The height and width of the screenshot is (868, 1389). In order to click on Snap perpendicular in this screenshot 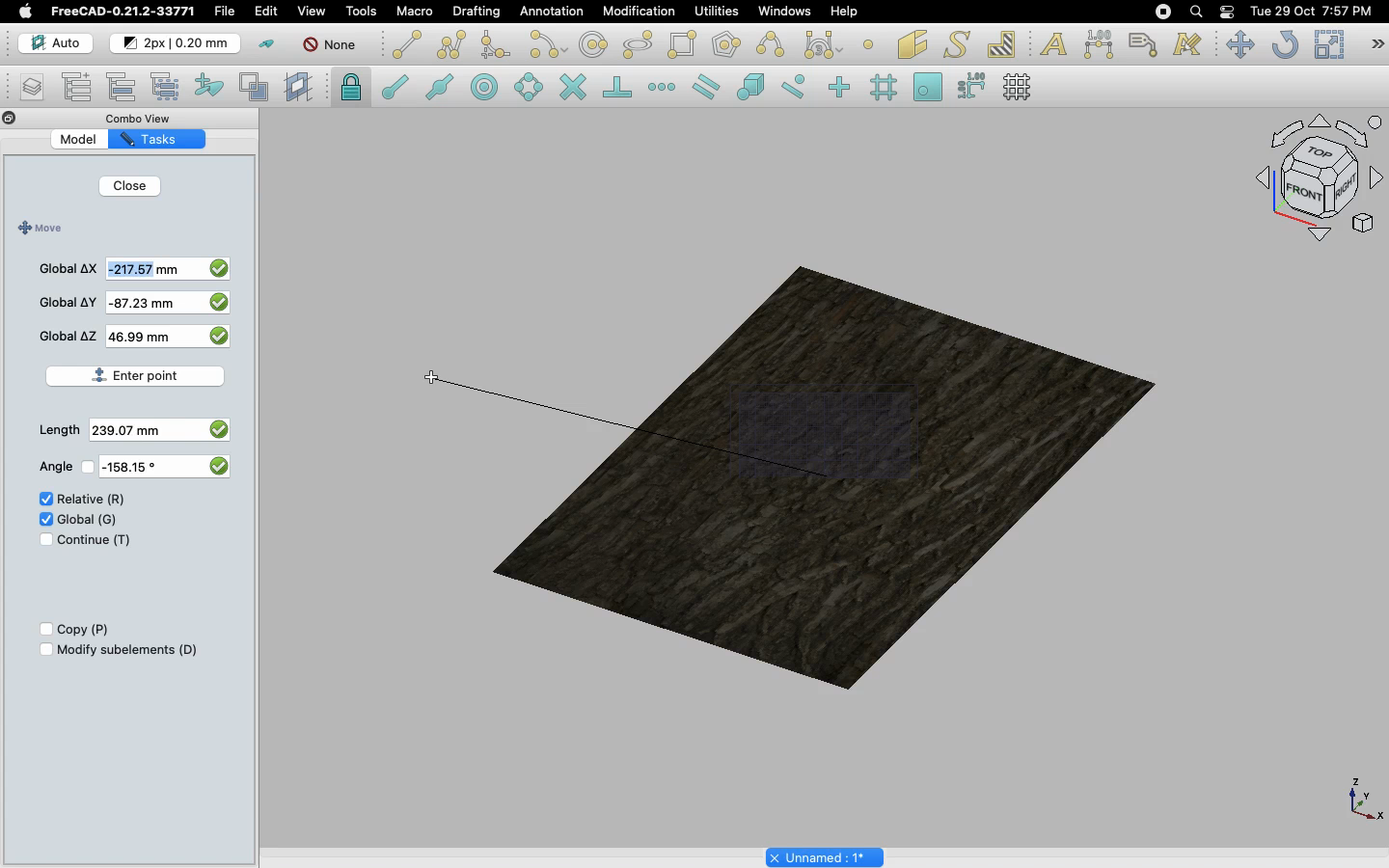, I will do `click(620, 89)`.